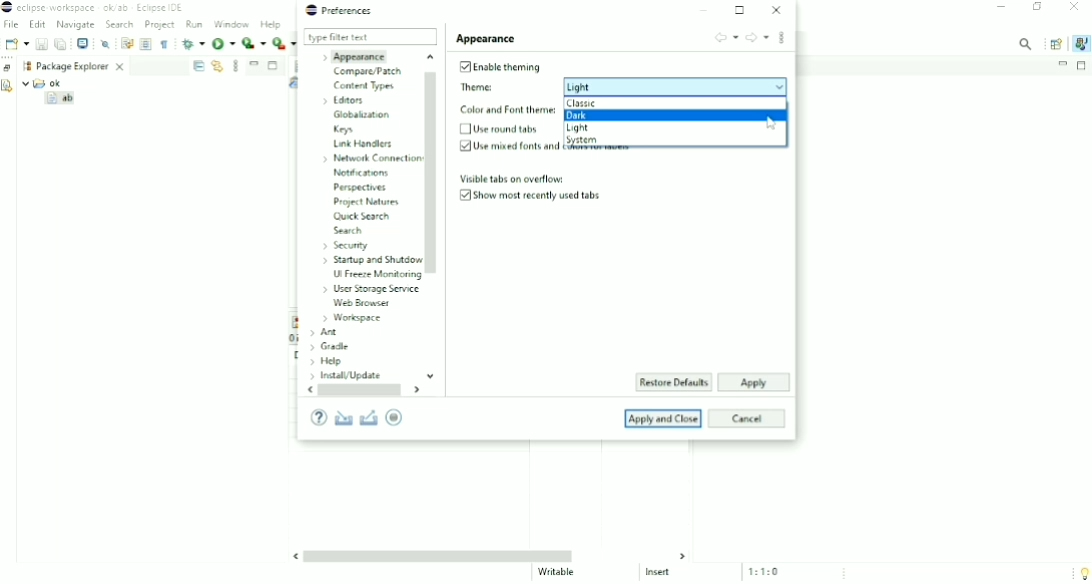 This screenshot has height=584, width=1092. I want to click on Gradle, so click(330, 347).